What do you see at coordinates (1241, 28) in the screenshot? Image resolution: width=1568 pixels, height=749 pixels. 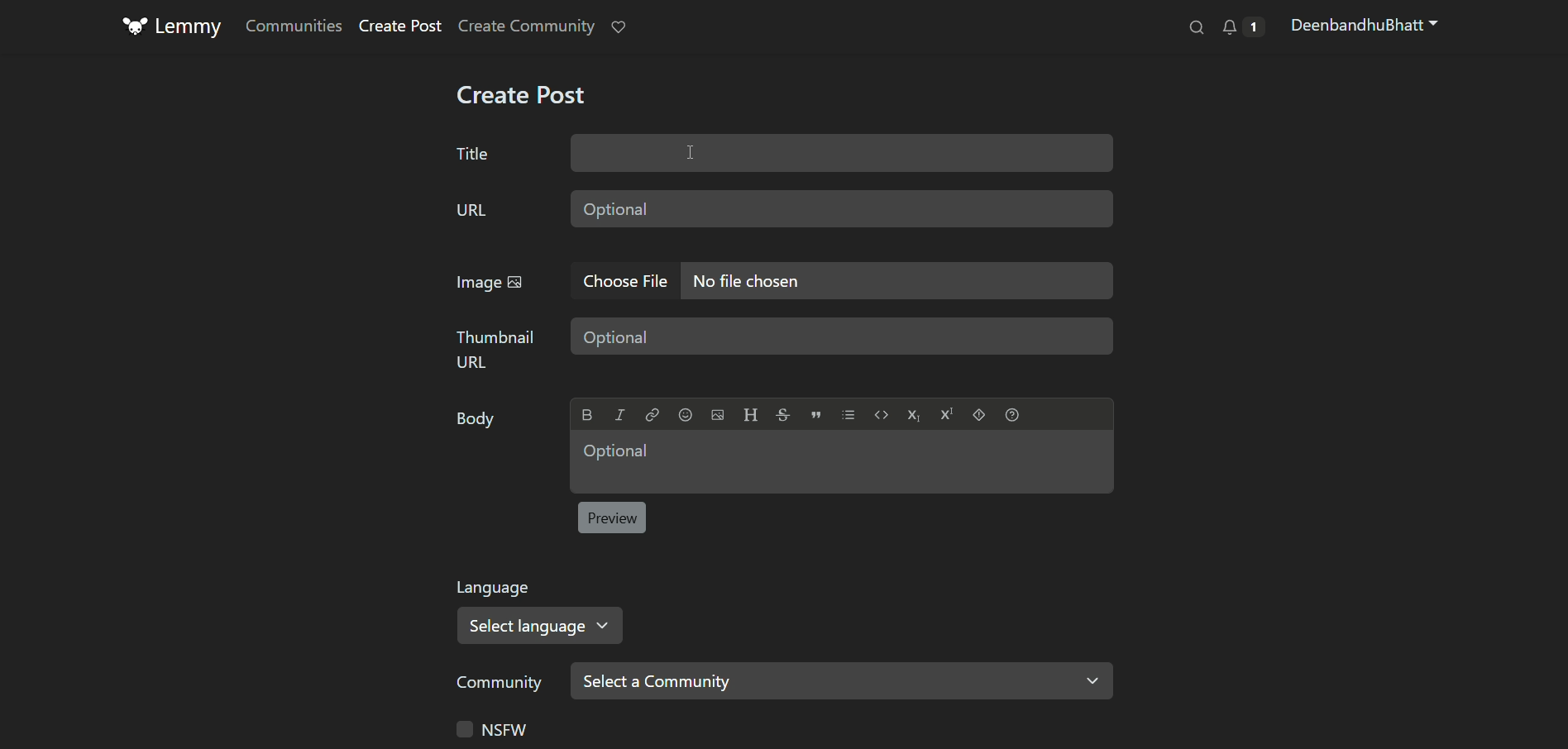 I see `notification` at bounding box center [1241, 28].